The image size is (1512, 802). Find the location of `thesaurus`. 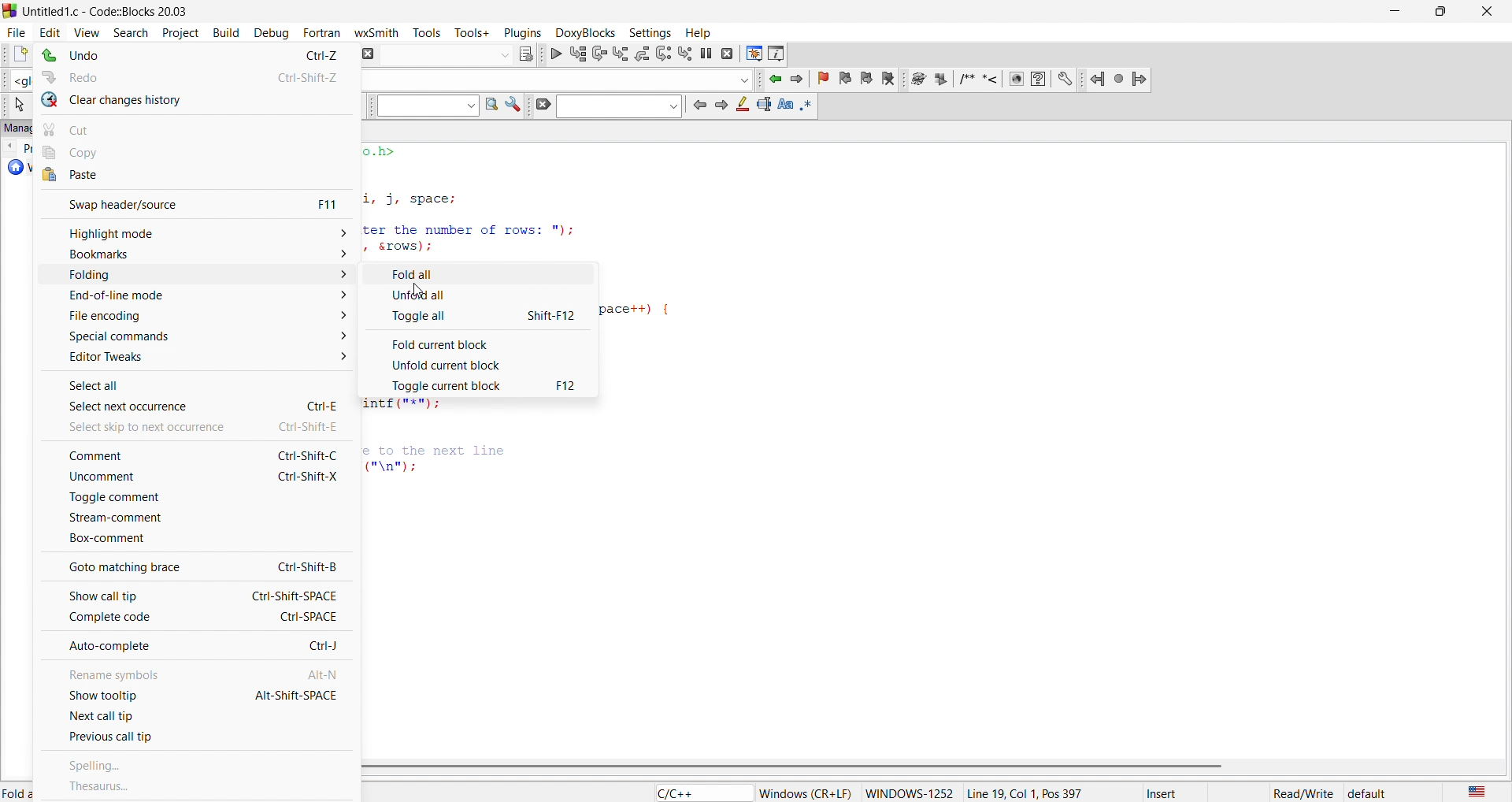

thesaurus is located at coordinates (196, 786).